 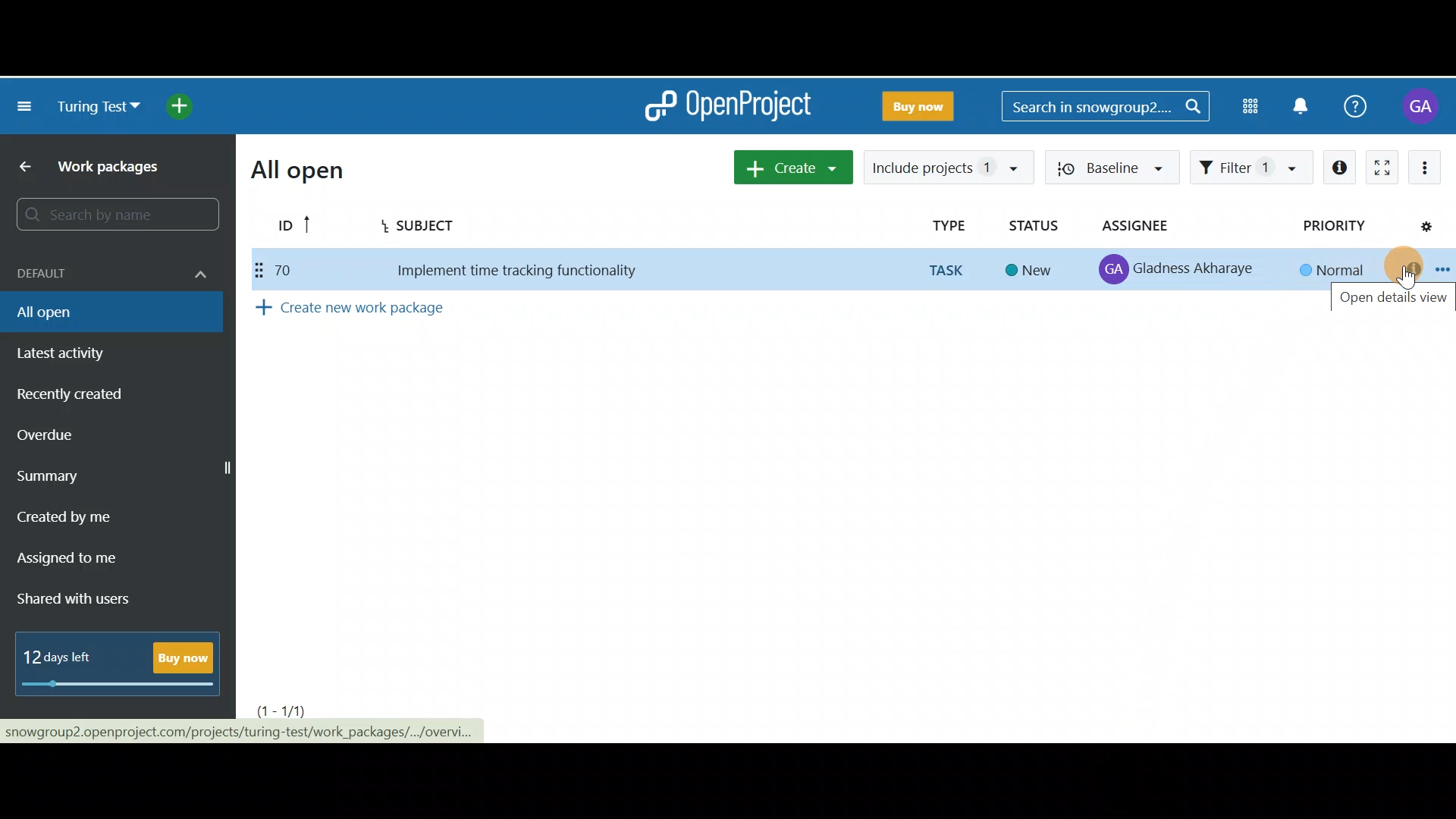 I want to click on Notification centre, so click(x=1302, y=105).